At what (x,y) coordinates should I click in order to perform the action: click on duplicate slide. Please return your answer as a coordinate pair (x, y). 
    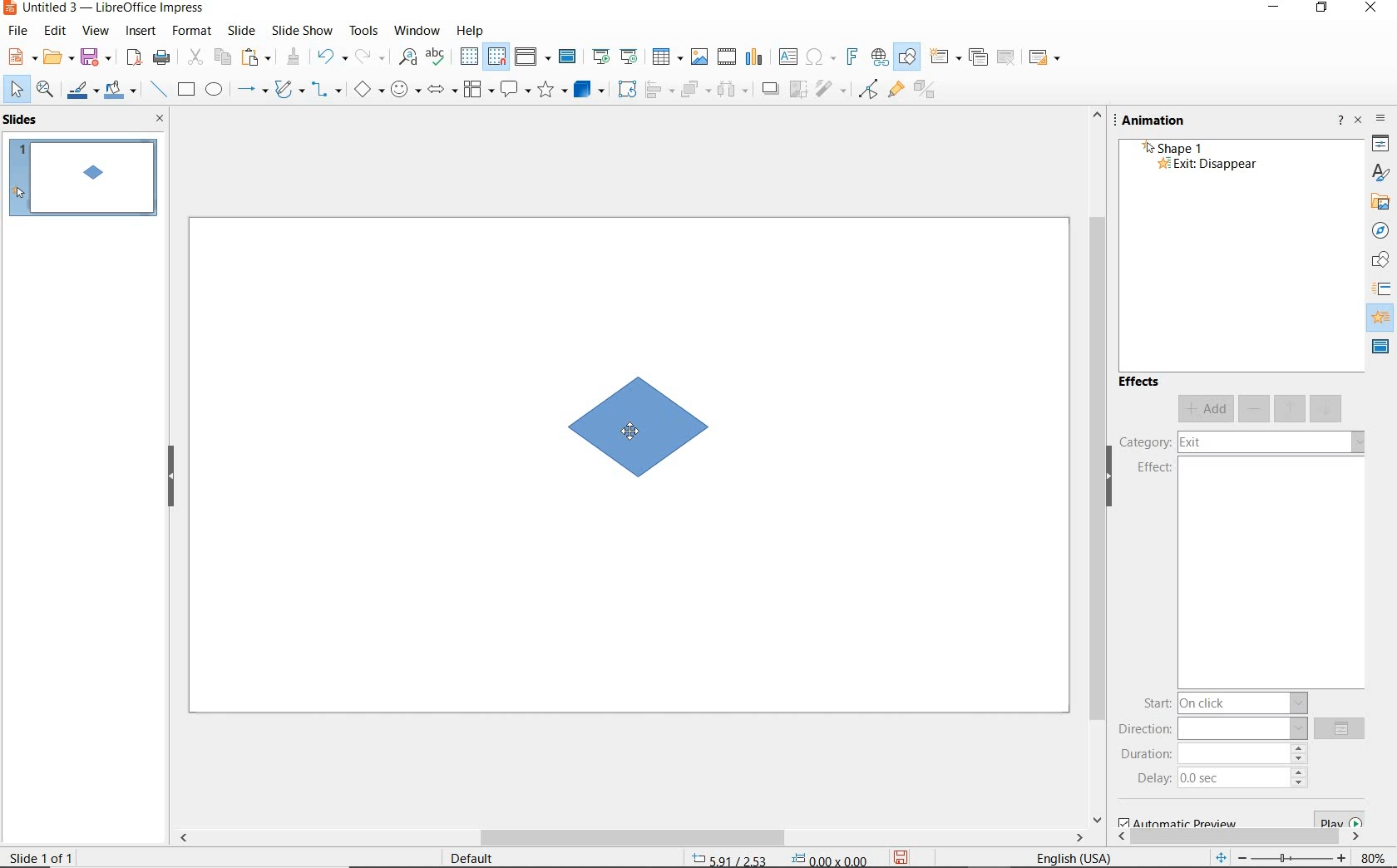
    Looking at the image, I should click on (978, 57).